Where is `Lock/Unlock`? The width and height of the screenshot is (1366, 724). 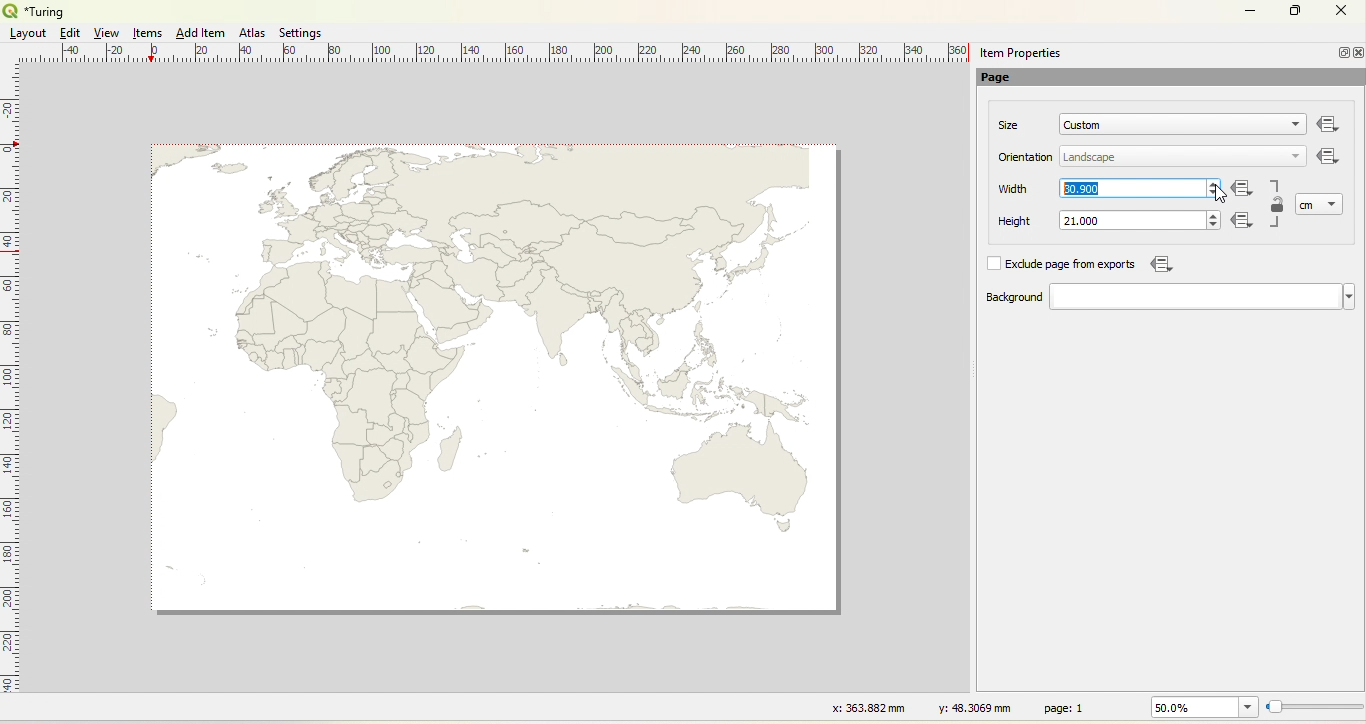
Lock/Unlock is located at coordinates (1278, 206).